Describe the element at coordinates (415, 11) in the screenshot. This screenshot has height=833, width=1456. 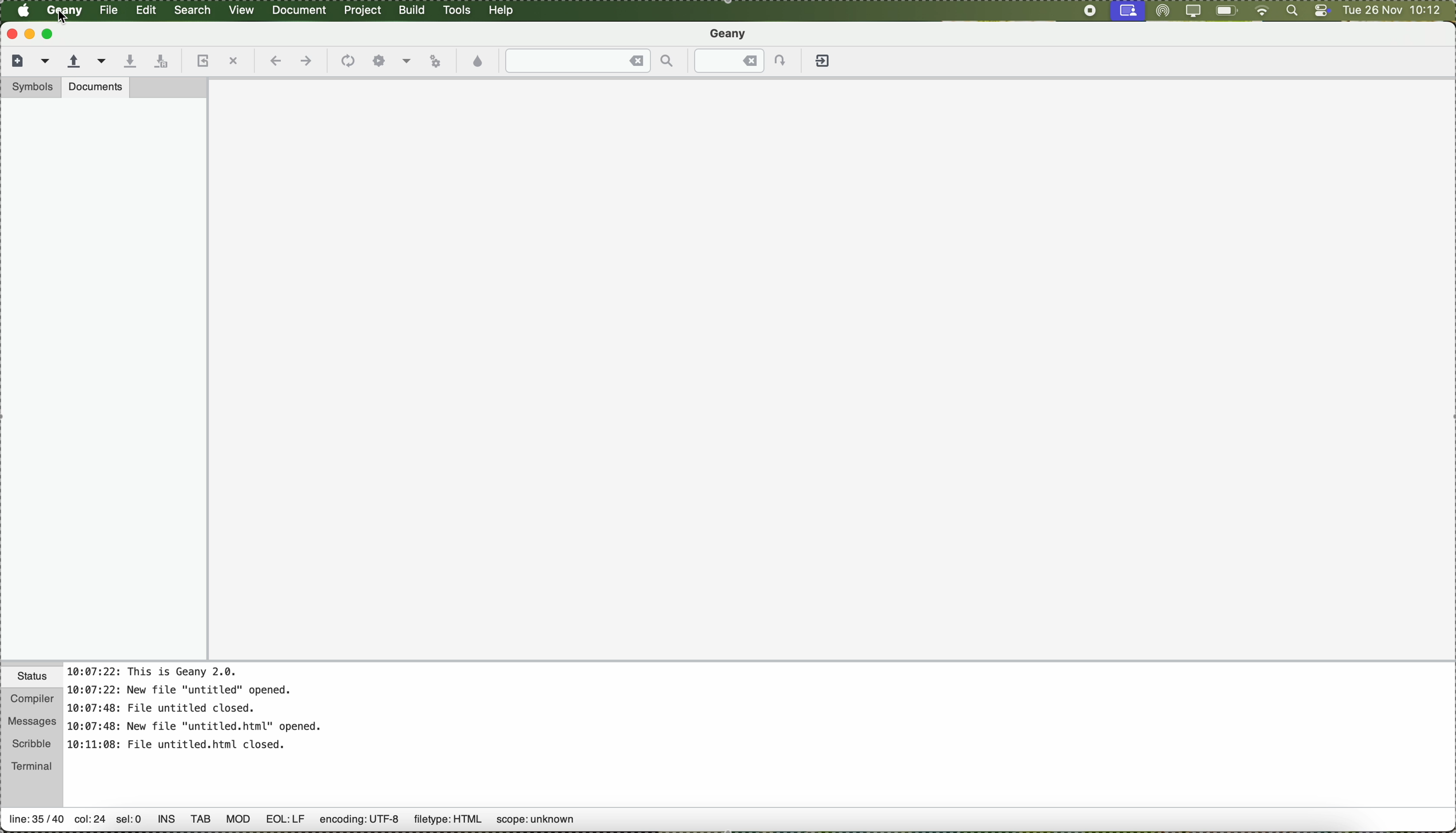
I see `build` at that location.